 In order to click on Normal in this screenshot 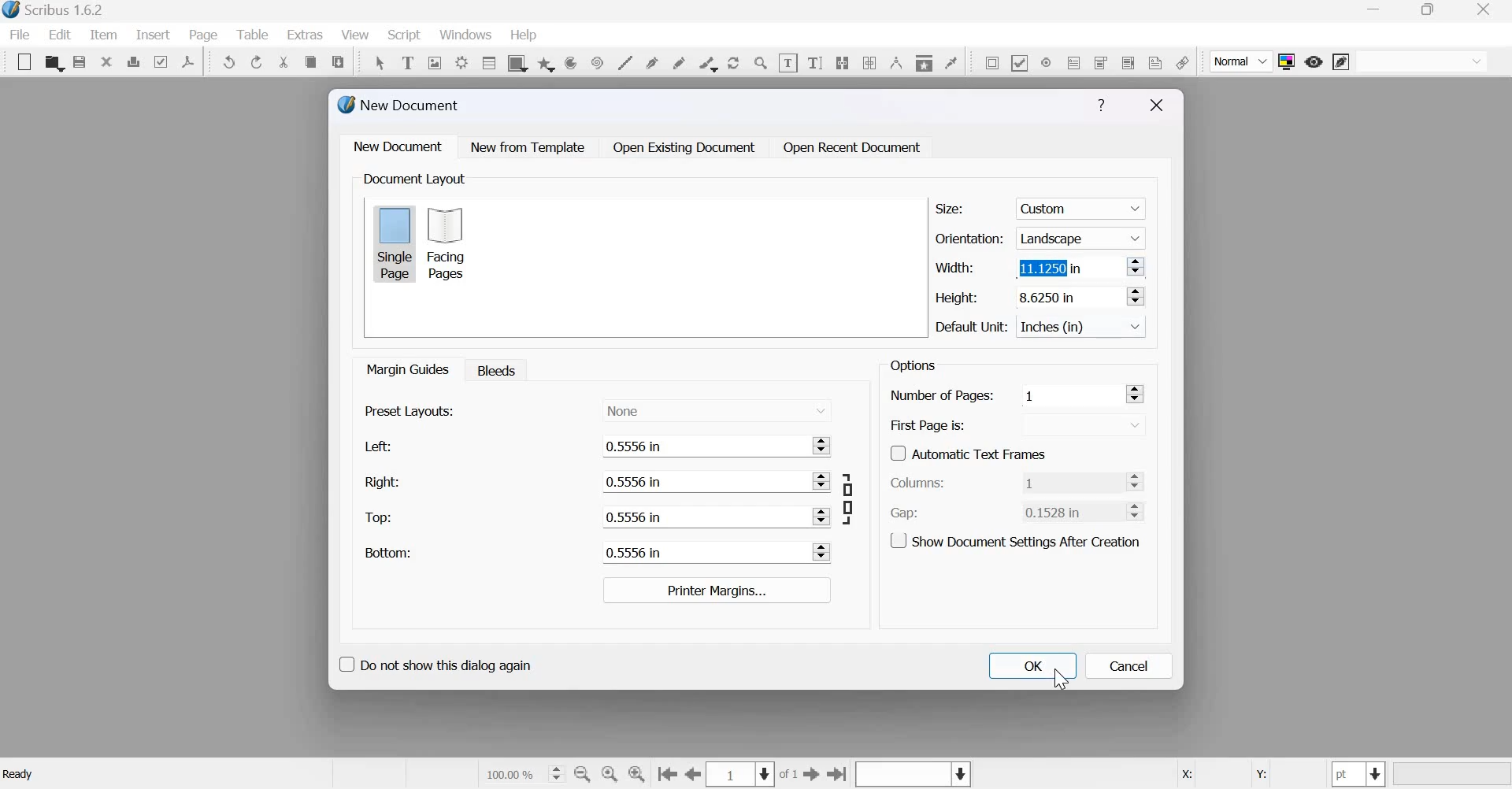, I will do `click(1242, 62)`.